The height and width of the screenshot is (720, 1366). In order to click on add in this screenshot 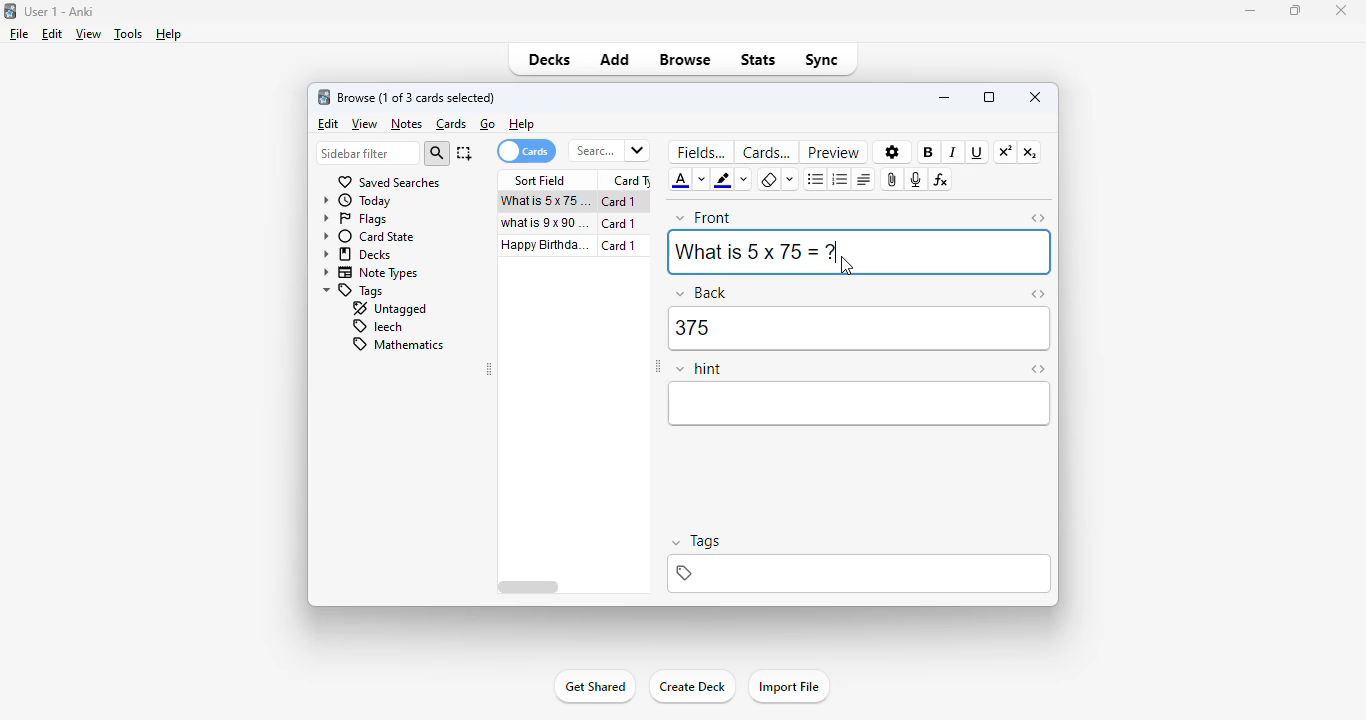, I will do `click(616, 59)`.